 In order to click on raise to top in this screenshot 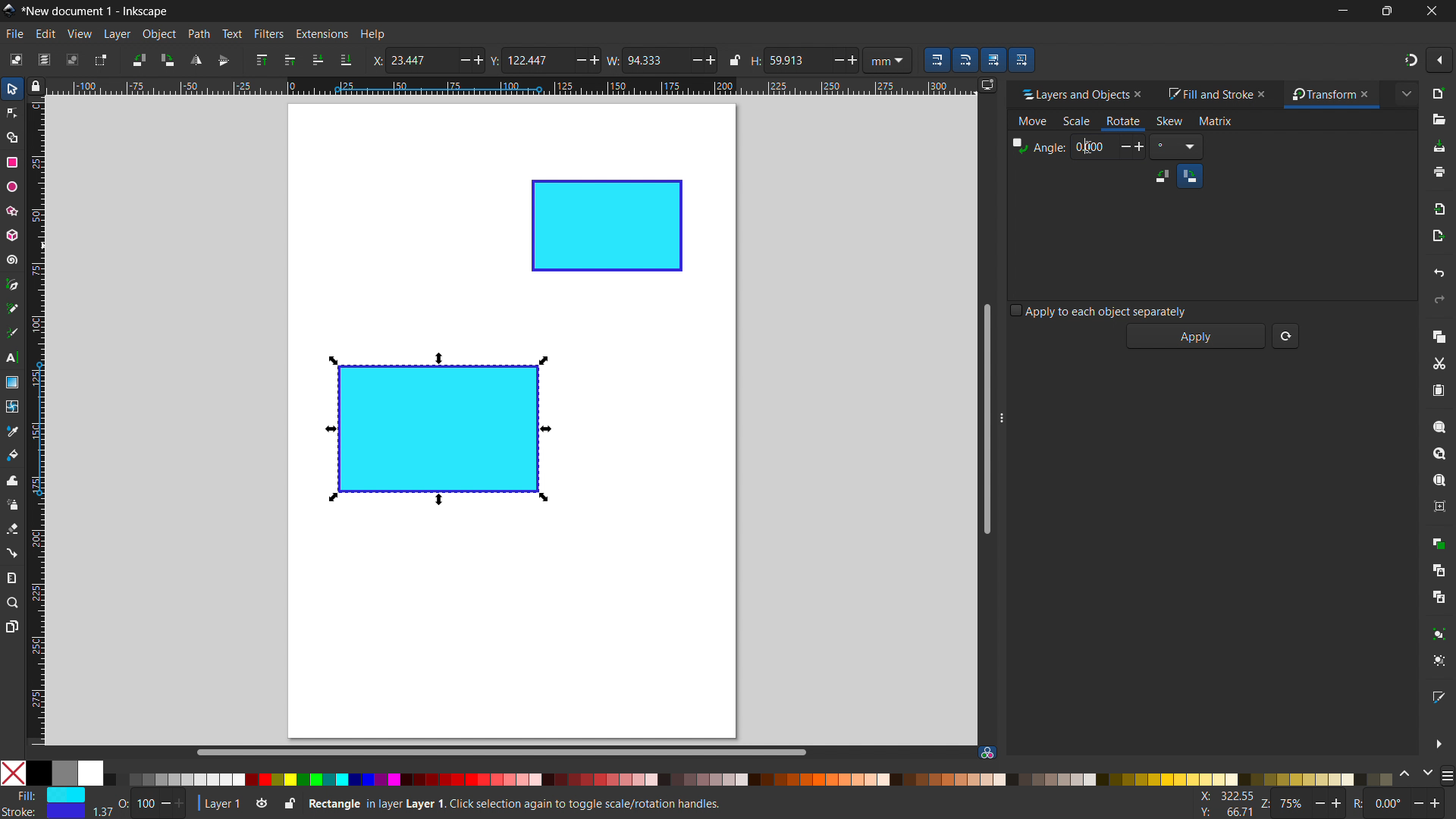, I will do `click(262, 60)`.